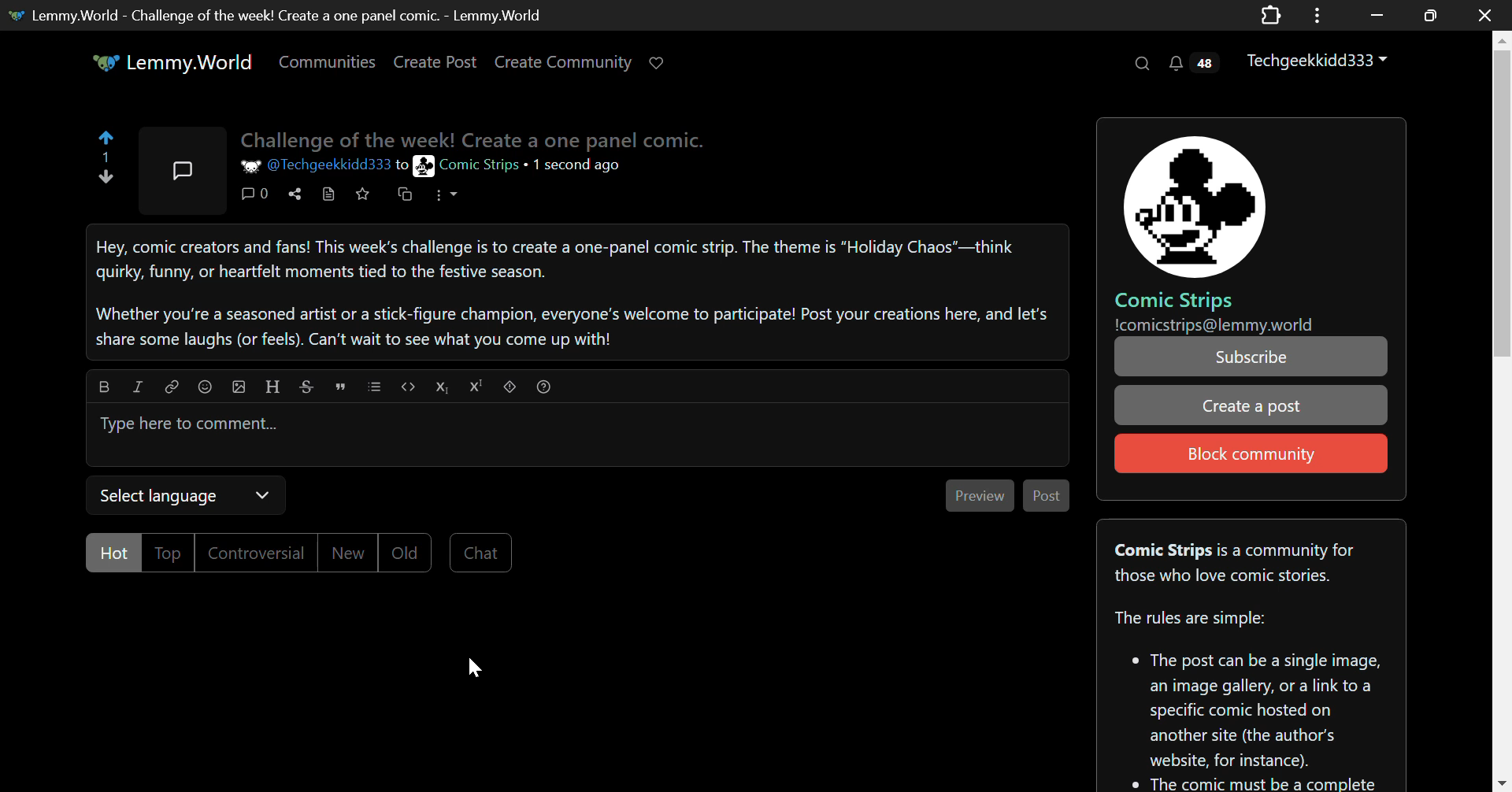  What do you see at coordinates (443, 385) in the screenshot?
I see `Subscript` at bounding box center [443, 385].